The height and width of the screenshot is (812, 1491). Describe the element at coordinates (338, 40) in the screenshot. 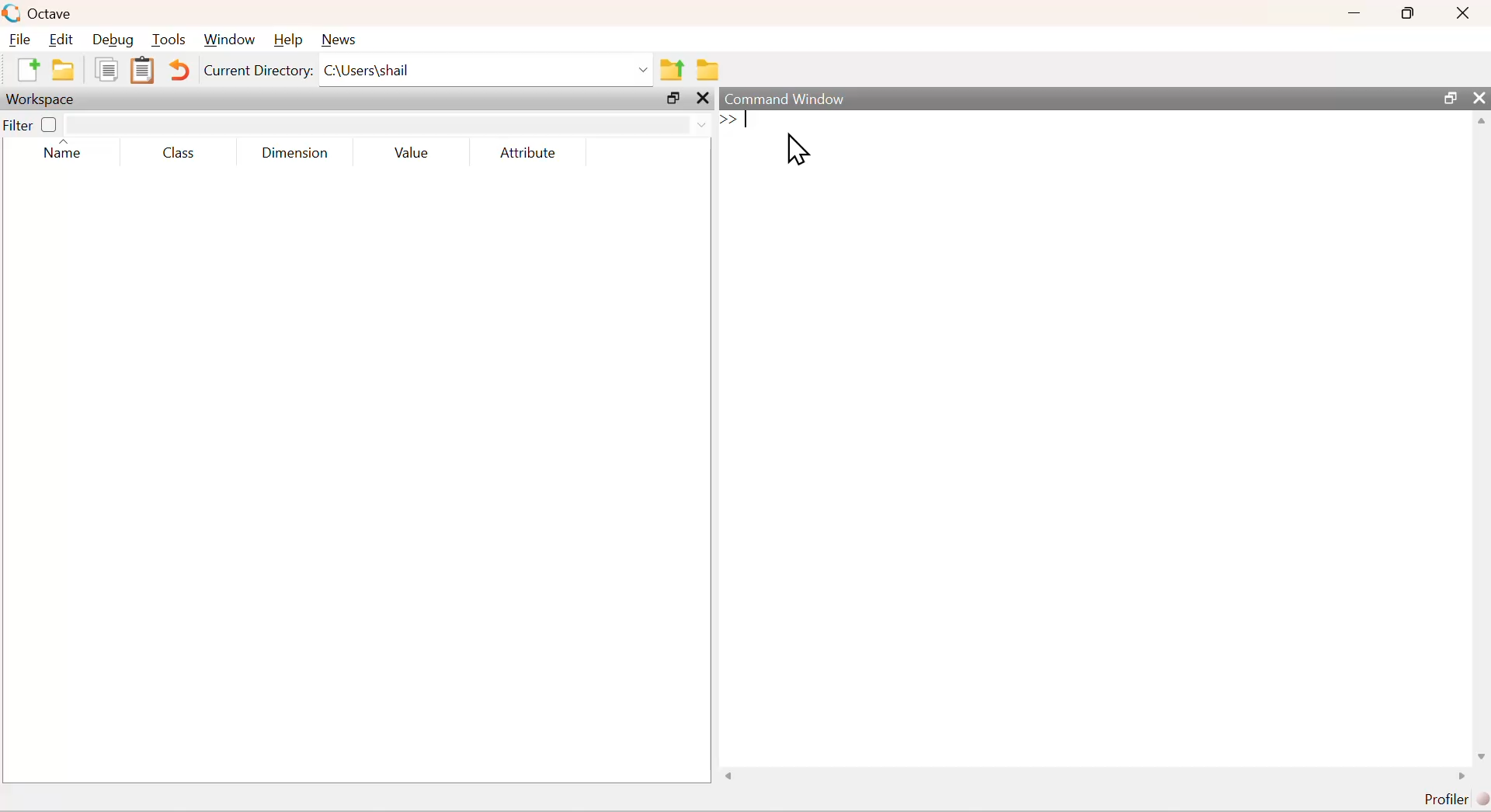

I see `News` at that location.